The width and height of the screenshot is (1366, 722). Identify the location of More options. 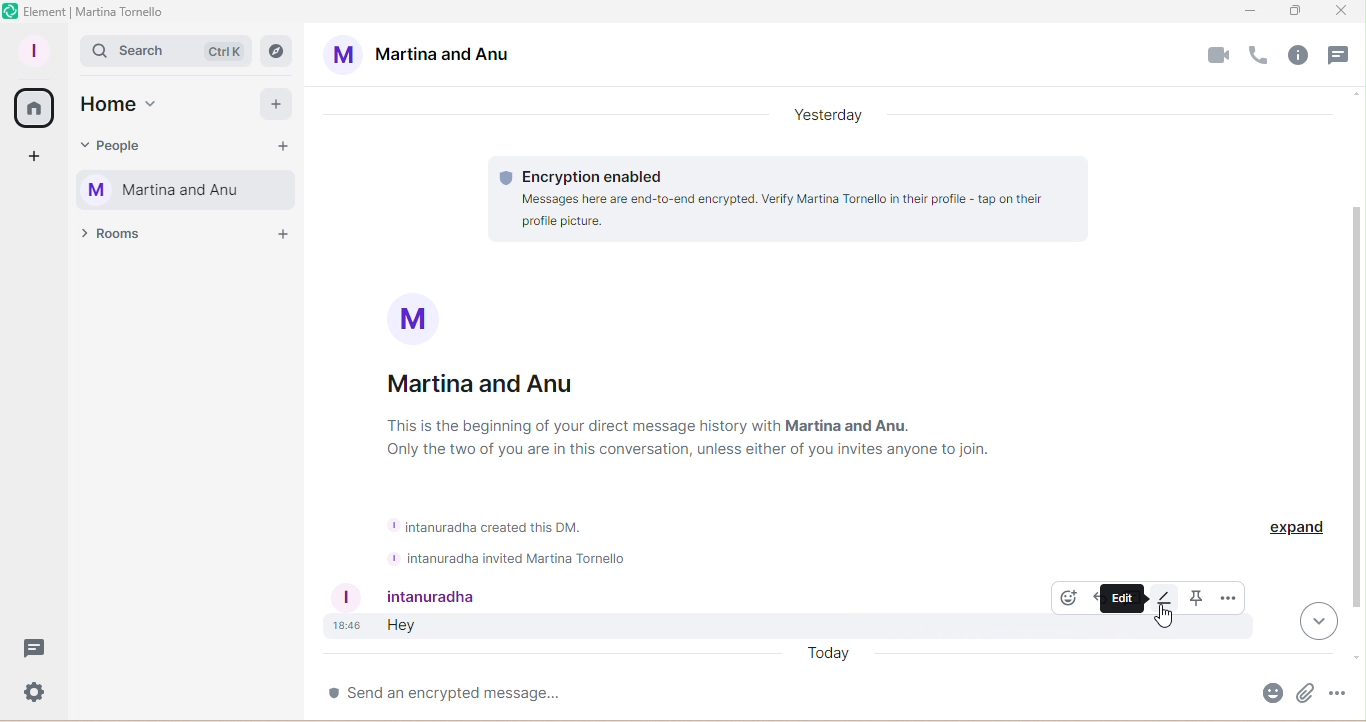
(1343, 698).